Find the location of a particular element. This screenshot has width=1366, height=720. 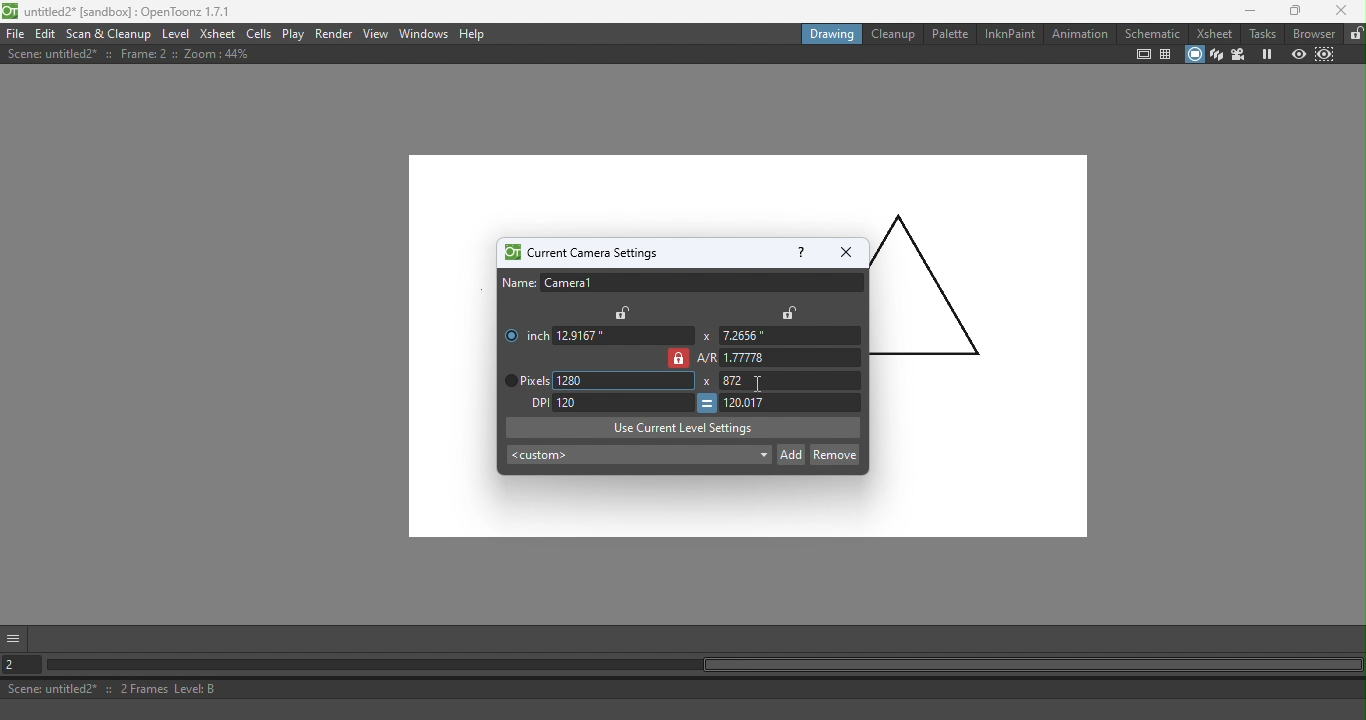

Drop down menu is located at coordinates (637, 456).